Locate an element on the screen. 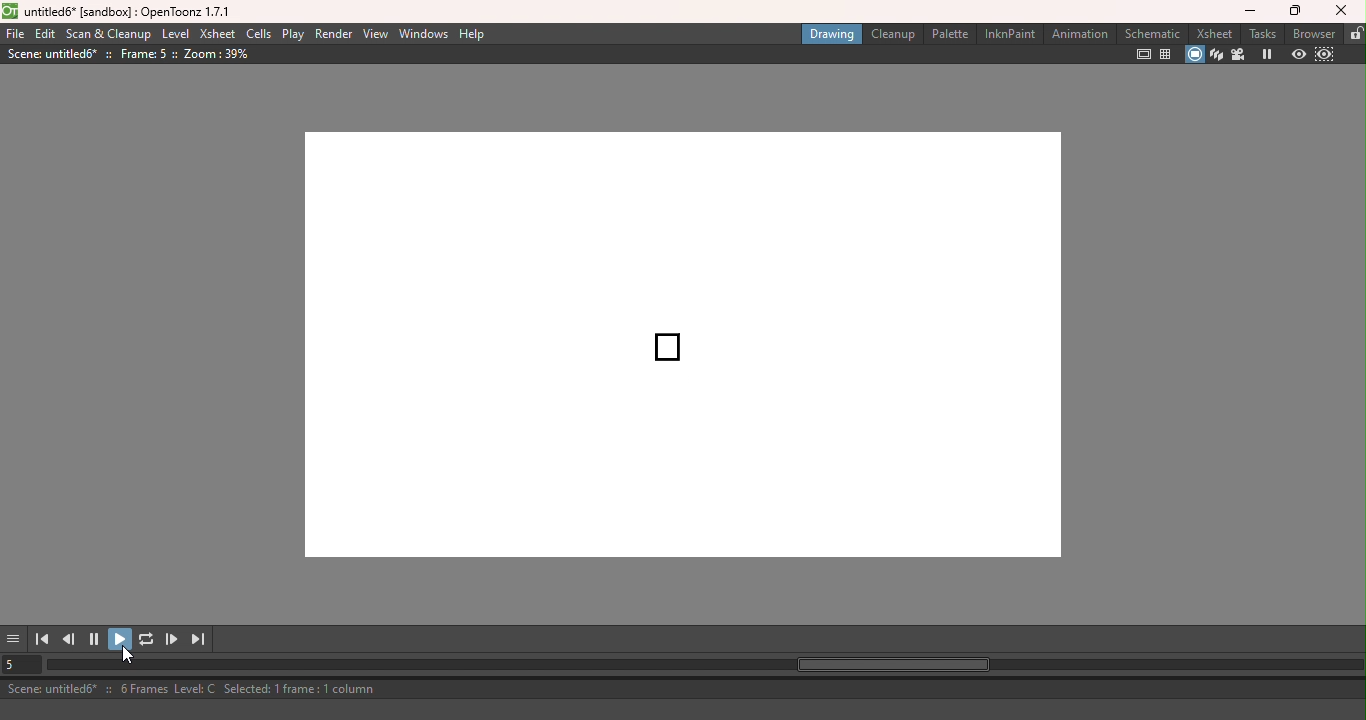 The width and height of the screenshot is (1366, 720). InknPaint is located at coordinates (1014, 34).